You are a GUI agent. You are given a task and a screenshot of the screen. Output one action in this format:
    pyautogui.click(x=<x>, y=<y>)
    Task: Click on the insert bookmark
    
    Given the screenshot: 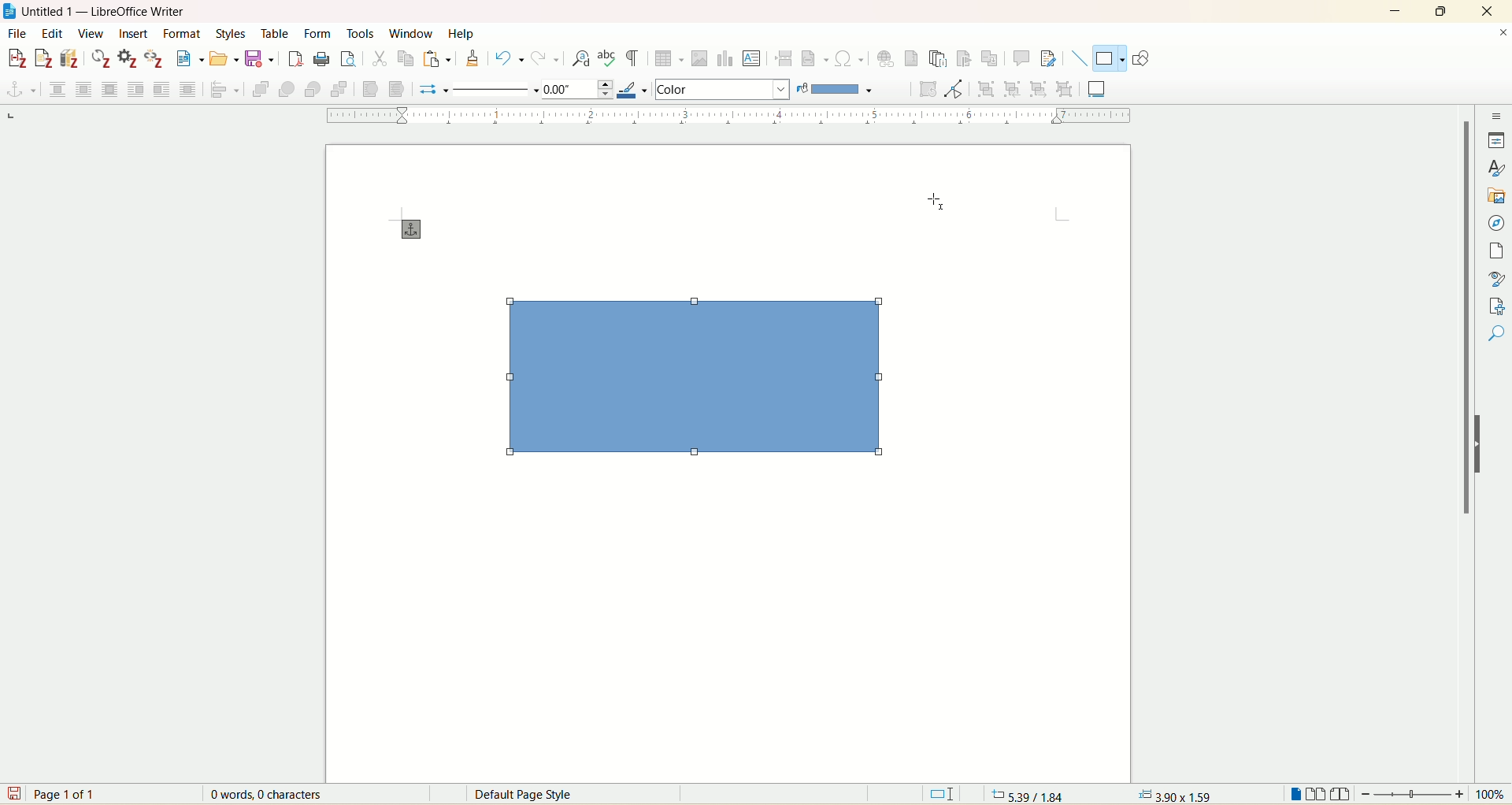 What is the action you would take?
    pyautogui.click(x=966, y=59)
    